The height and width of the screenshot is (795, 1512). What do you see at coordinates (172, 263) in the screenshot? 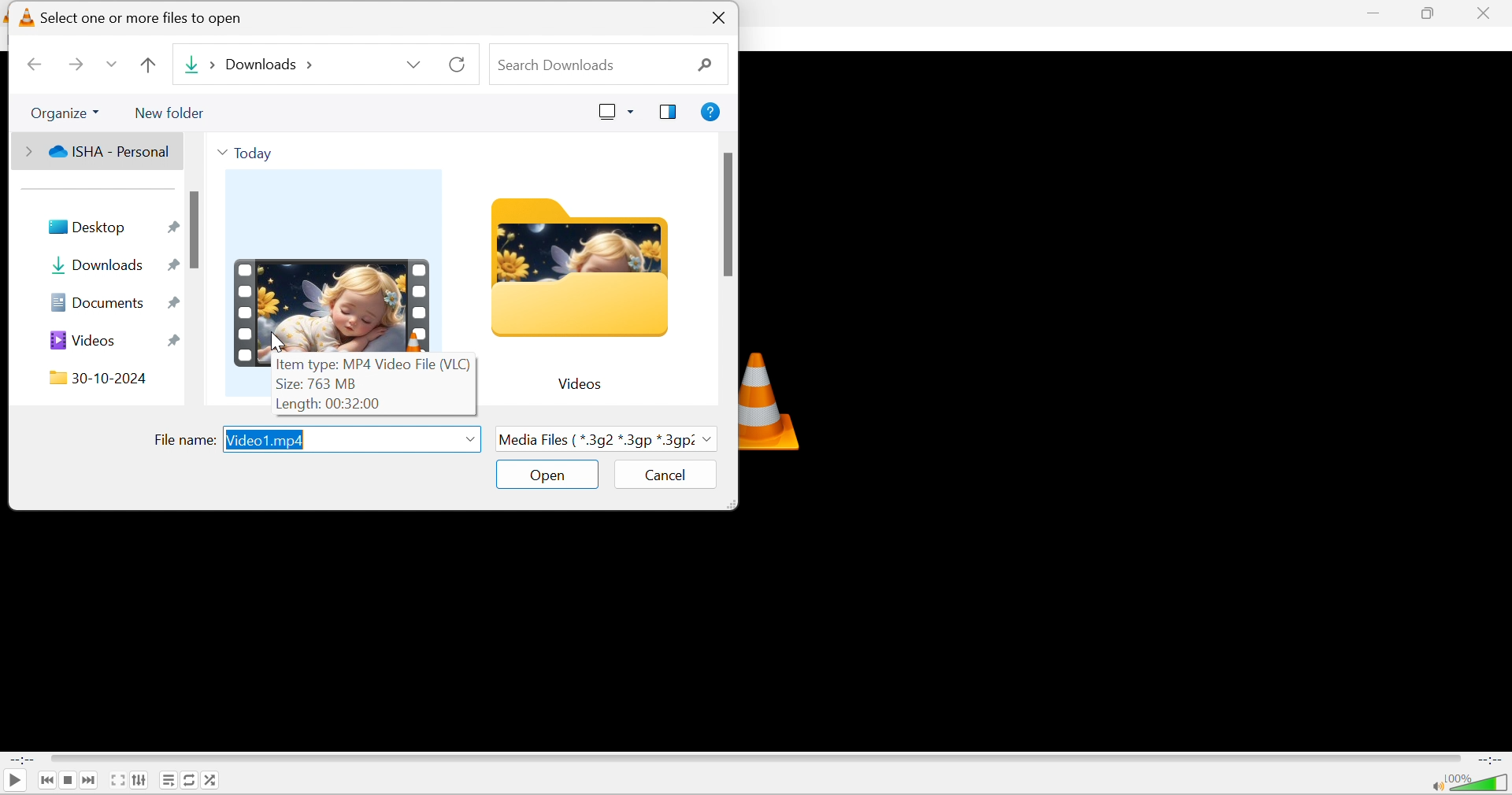
I see `Pin` at bounding box center [172, 263].